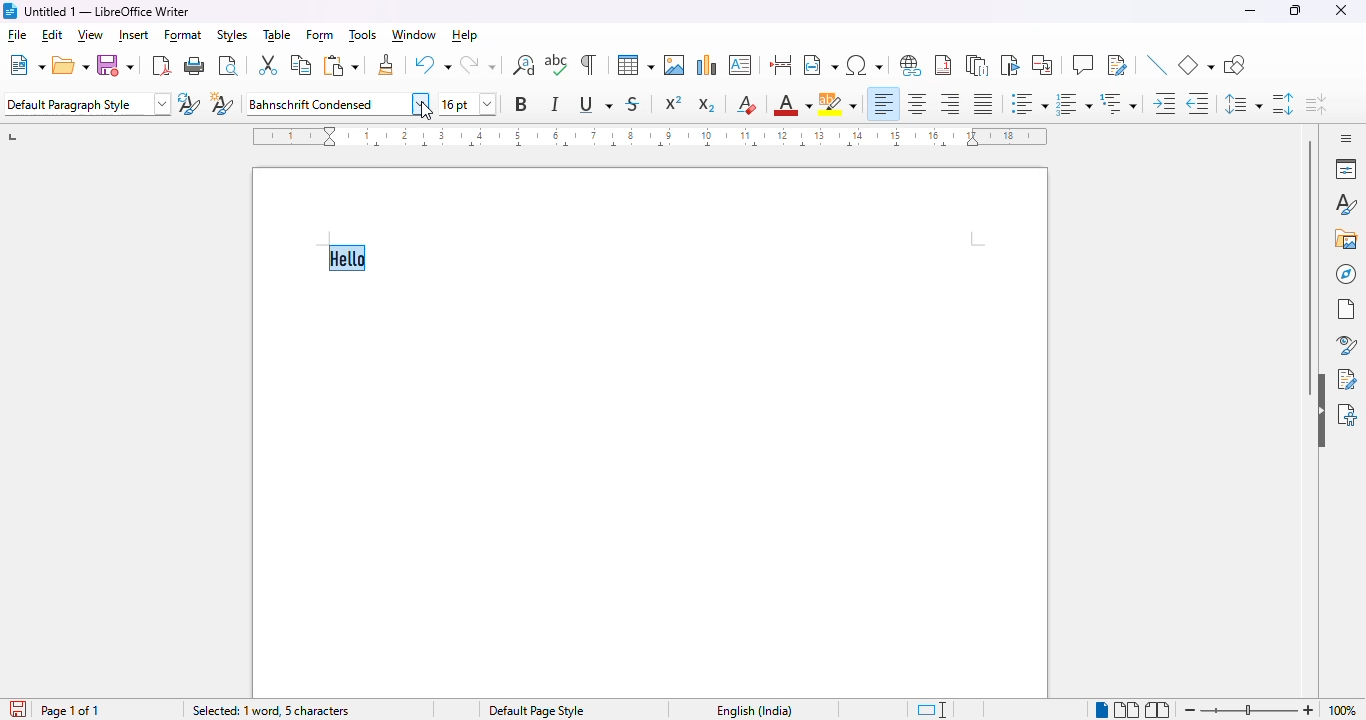  What do you see at coordinates (978, 64) in the screenshot?
I see `insert endnote` at bounding box center [978, 64].